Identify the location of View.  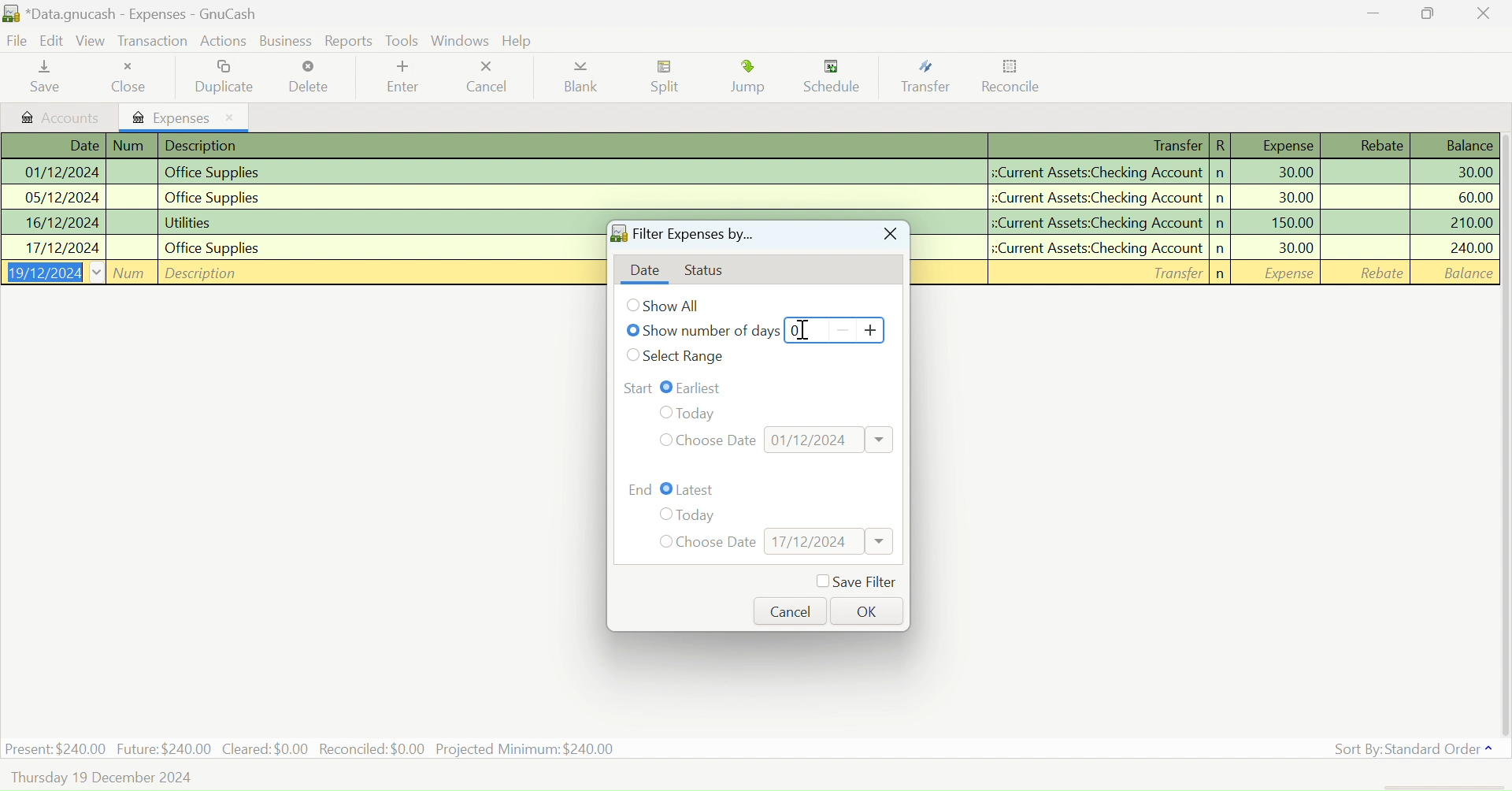
(91, 43).